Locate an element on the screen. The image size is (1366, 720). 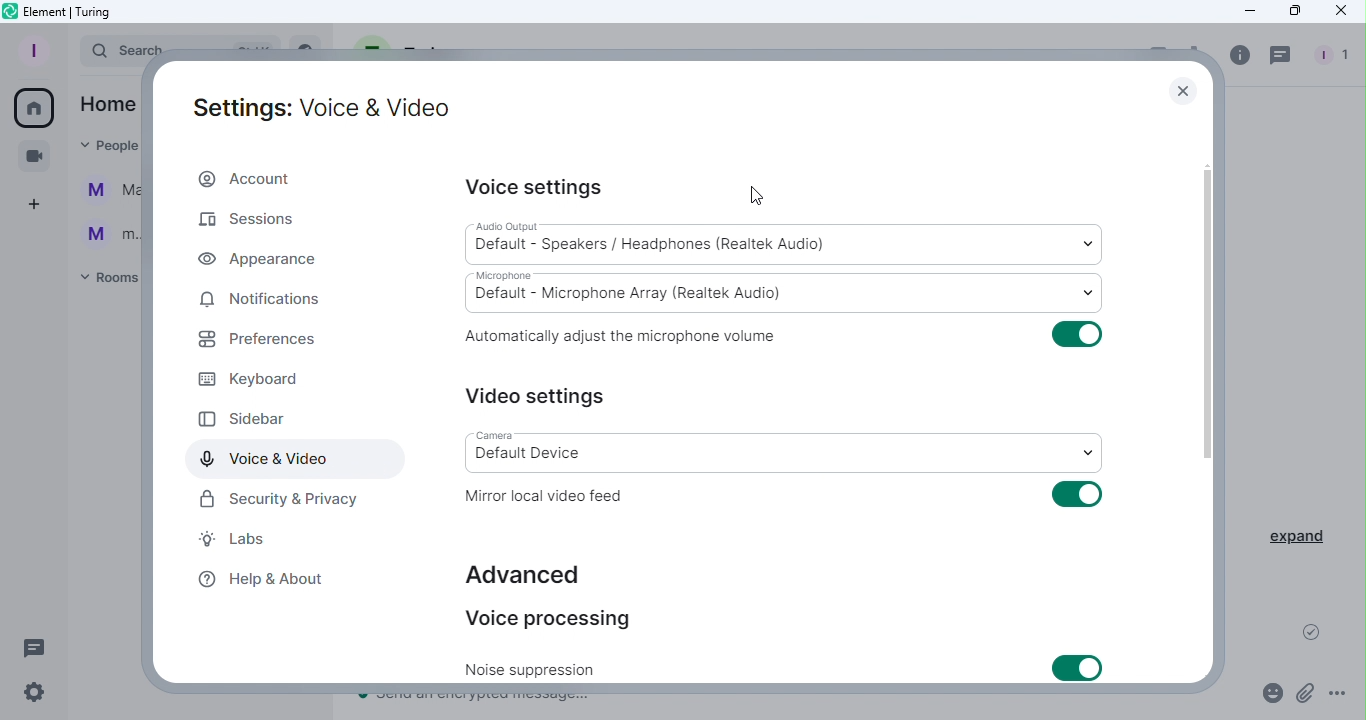
Sessions is located at coordinates (251, 214).